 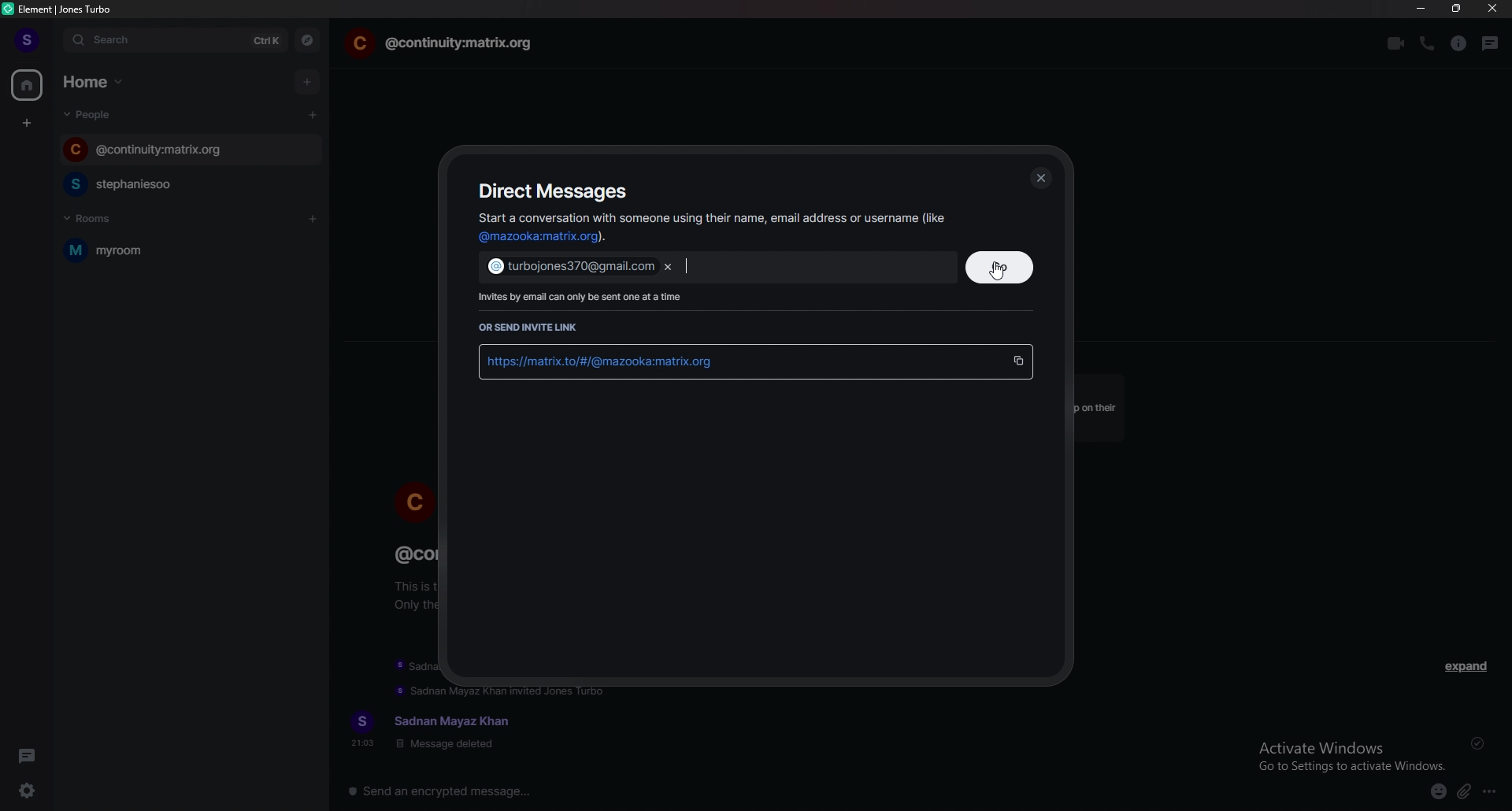 I want to click on create space, so click(x=28, y=124).